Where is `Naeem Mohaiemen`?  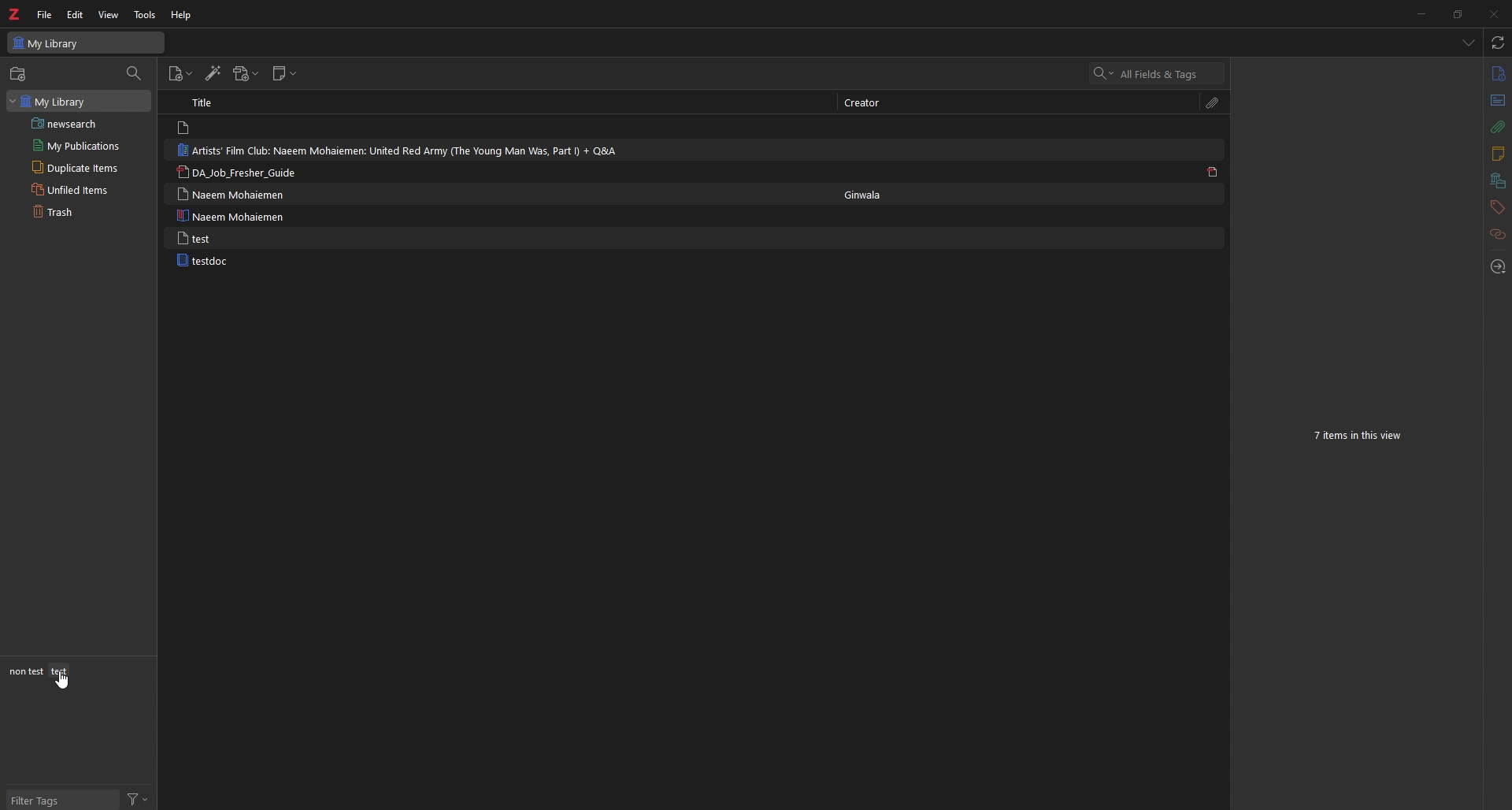 Naeem Mohaiemen is located at coordinates (235, 195).